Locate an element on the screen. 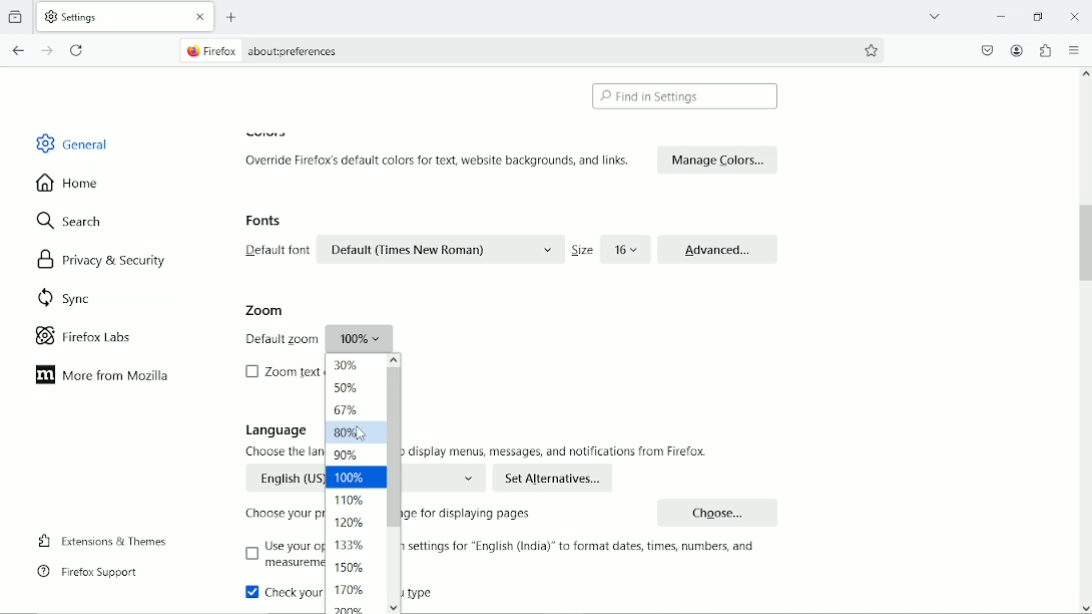  Zoom is located at coordinates (263, 310).